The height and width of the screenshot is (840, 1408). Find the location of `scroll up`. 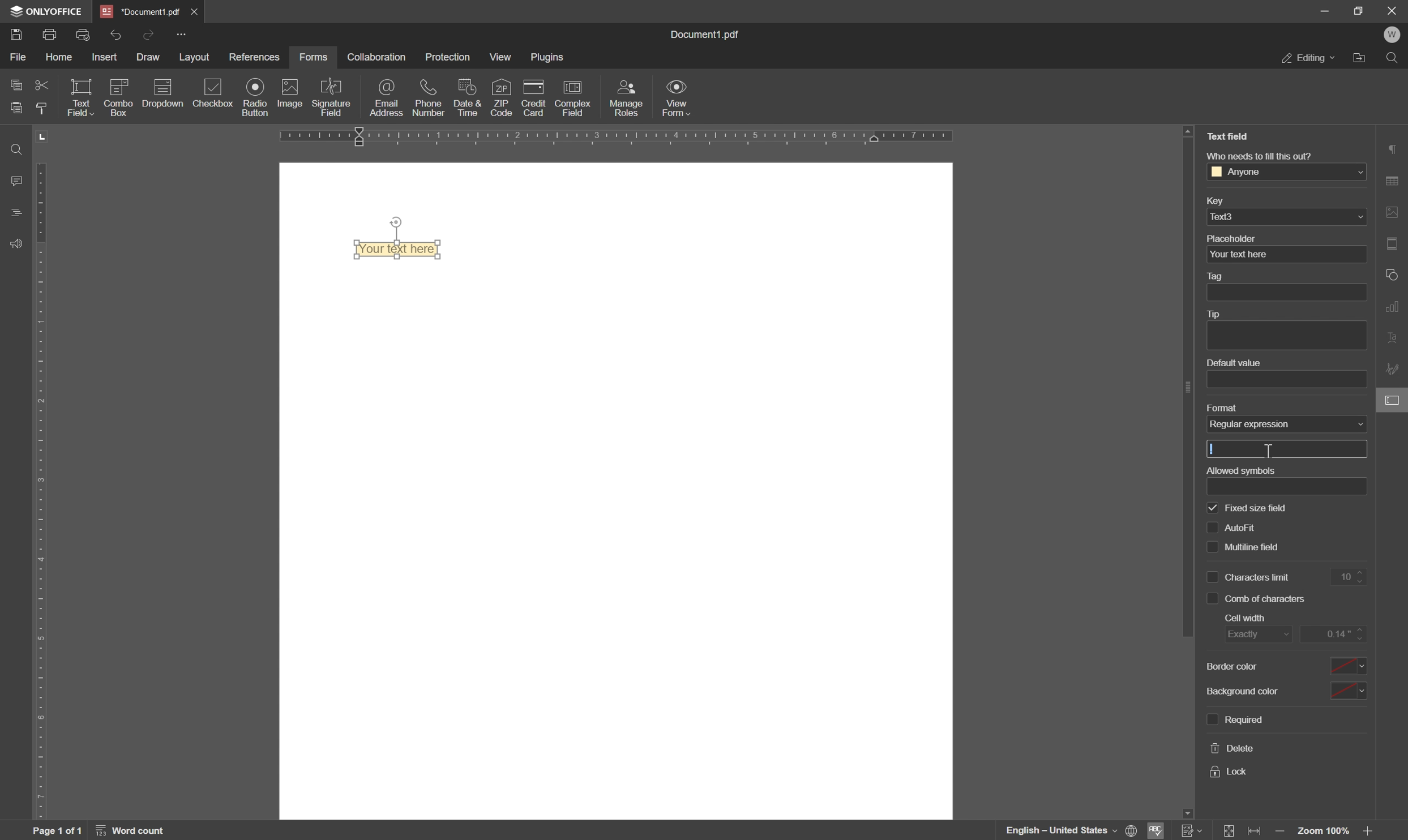

scroll up is located at coordinates (1188, 131).